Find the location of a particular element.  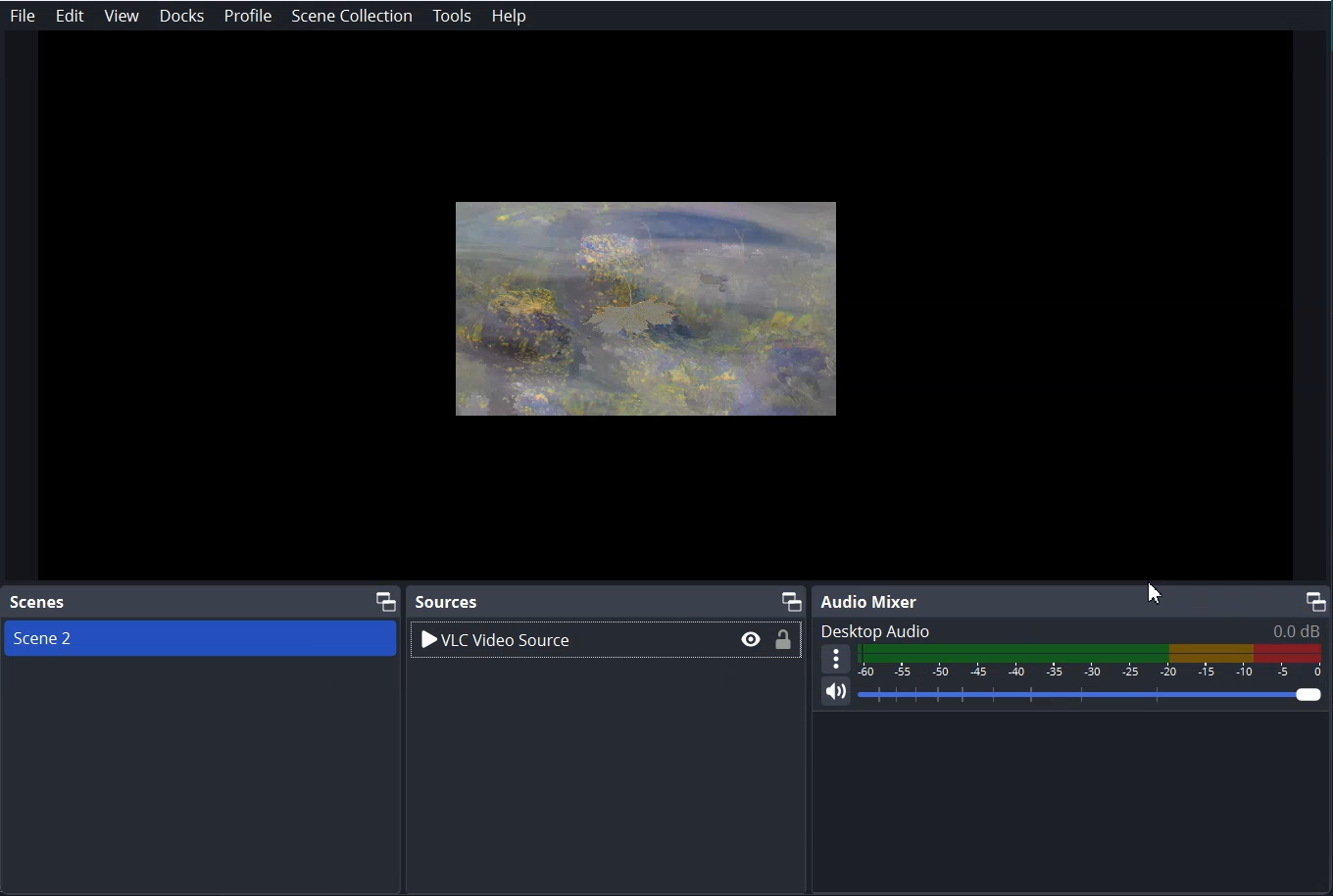

Edit is located at coordinates (69, 16).